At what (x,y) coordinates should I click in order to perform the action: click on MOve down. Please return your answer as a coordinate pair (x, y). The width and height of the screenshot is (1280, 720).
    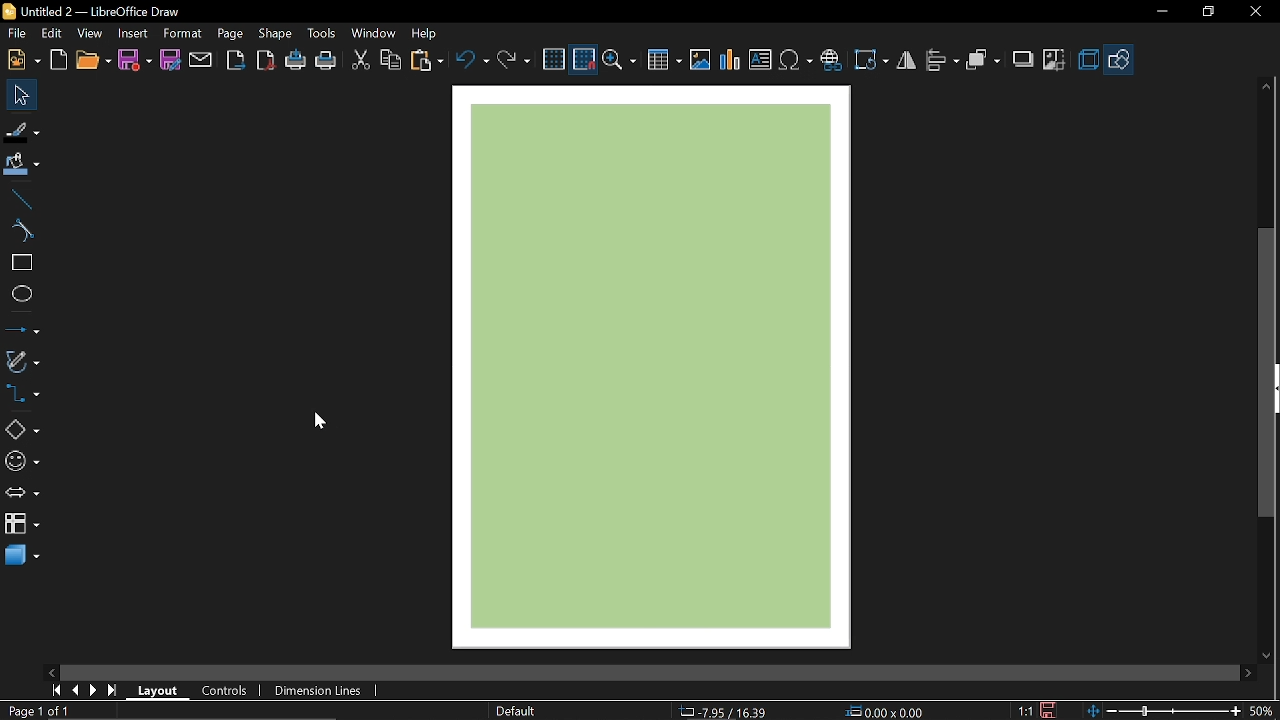
    Looking at the image, I should click on (1264, 654).